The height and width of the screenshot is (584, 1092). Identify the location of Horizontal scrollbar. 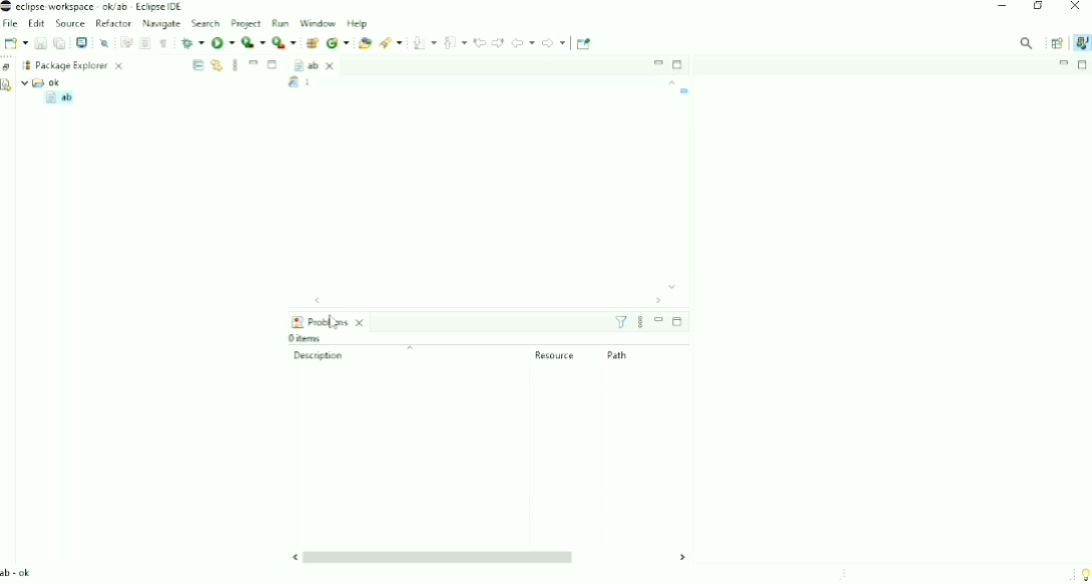
(489, 557).